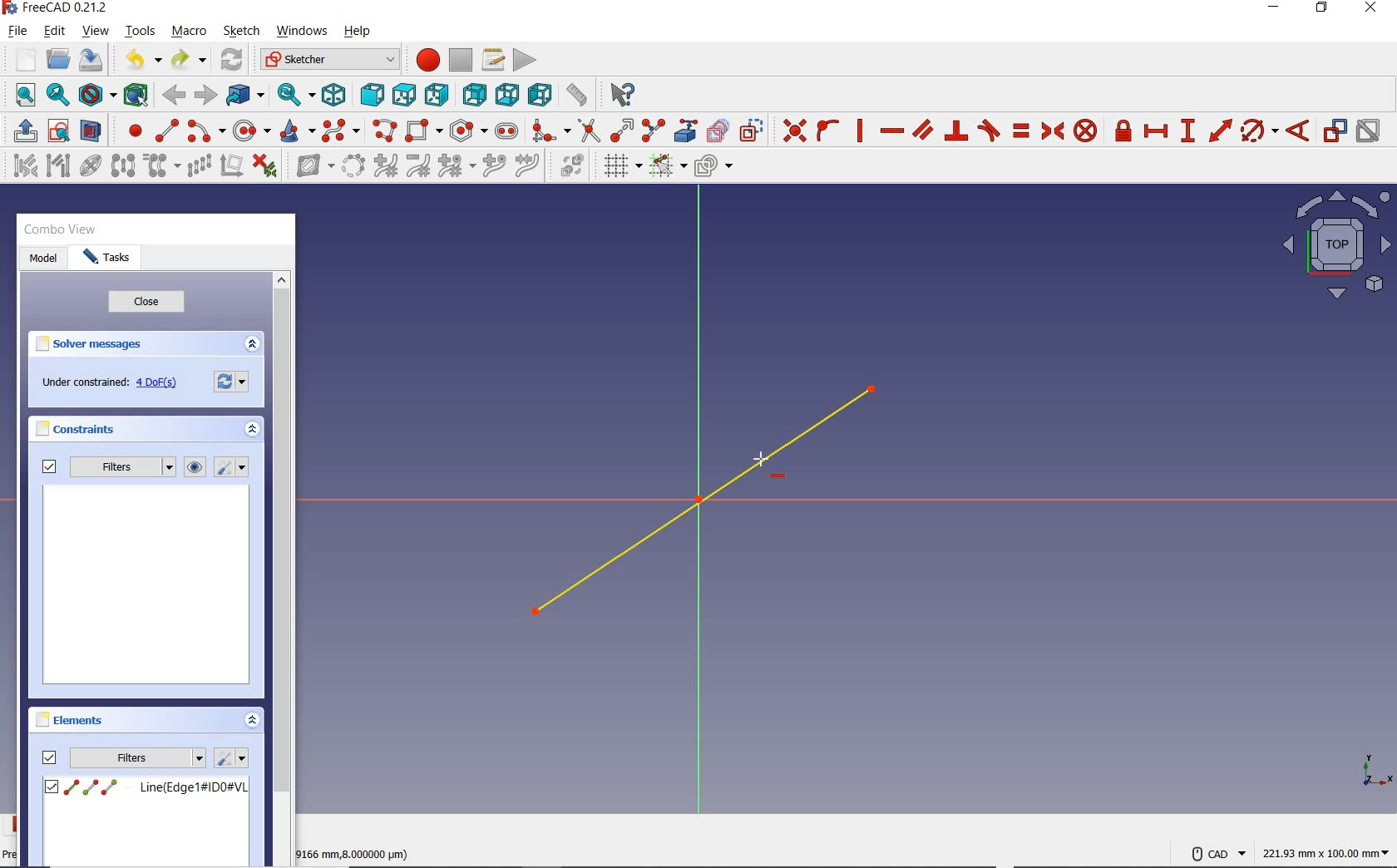 This screenshot has width=1397, height=868. What do you see at coordinates (96, 96) in the screenshot?
I see `DRAW STYLE` at bounding box center [96, 96].